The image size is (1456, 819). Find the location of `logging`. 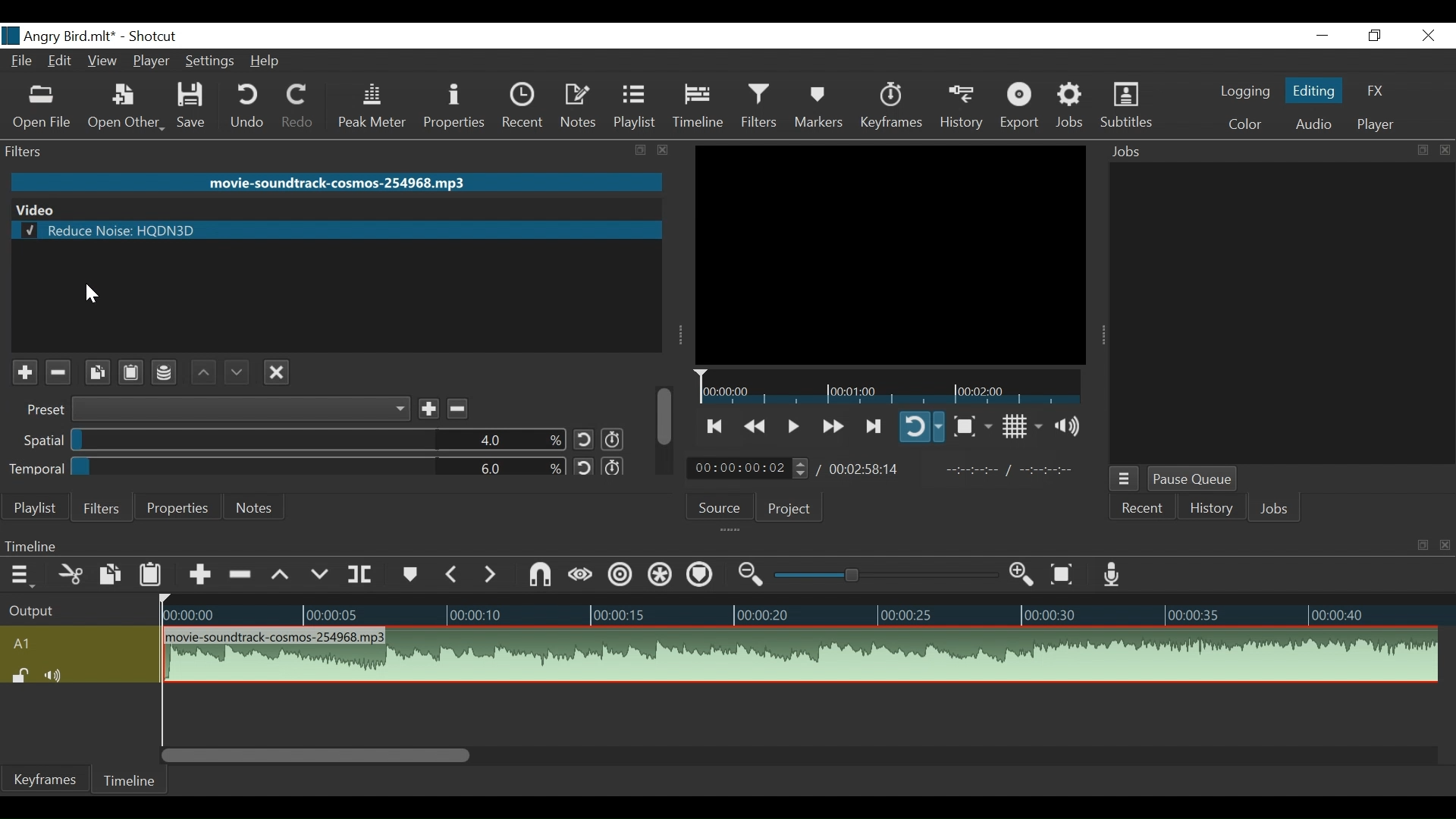

logging is located at coordinates (1243, 93).